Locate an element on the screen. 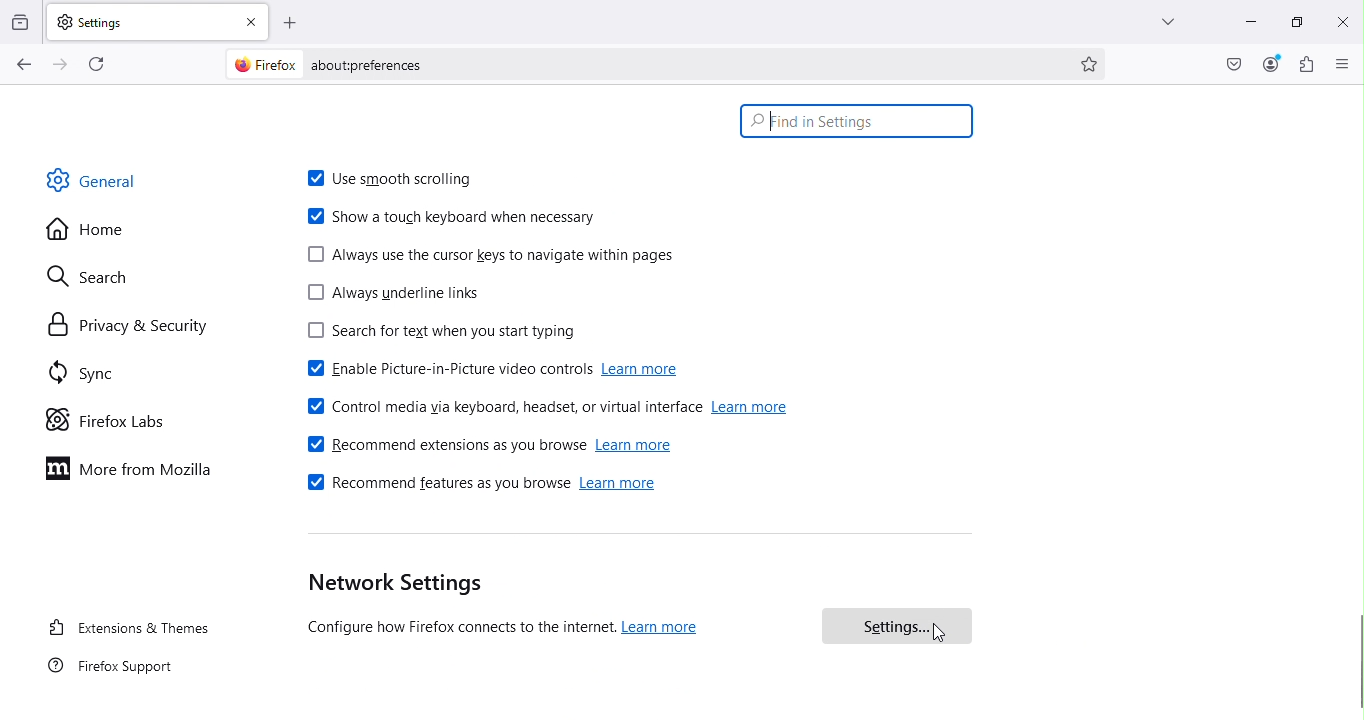 The width and height of the screenshot is (1364, 720). Always use the cursor keys to navigate within pages is located at coordinates (491, 256).